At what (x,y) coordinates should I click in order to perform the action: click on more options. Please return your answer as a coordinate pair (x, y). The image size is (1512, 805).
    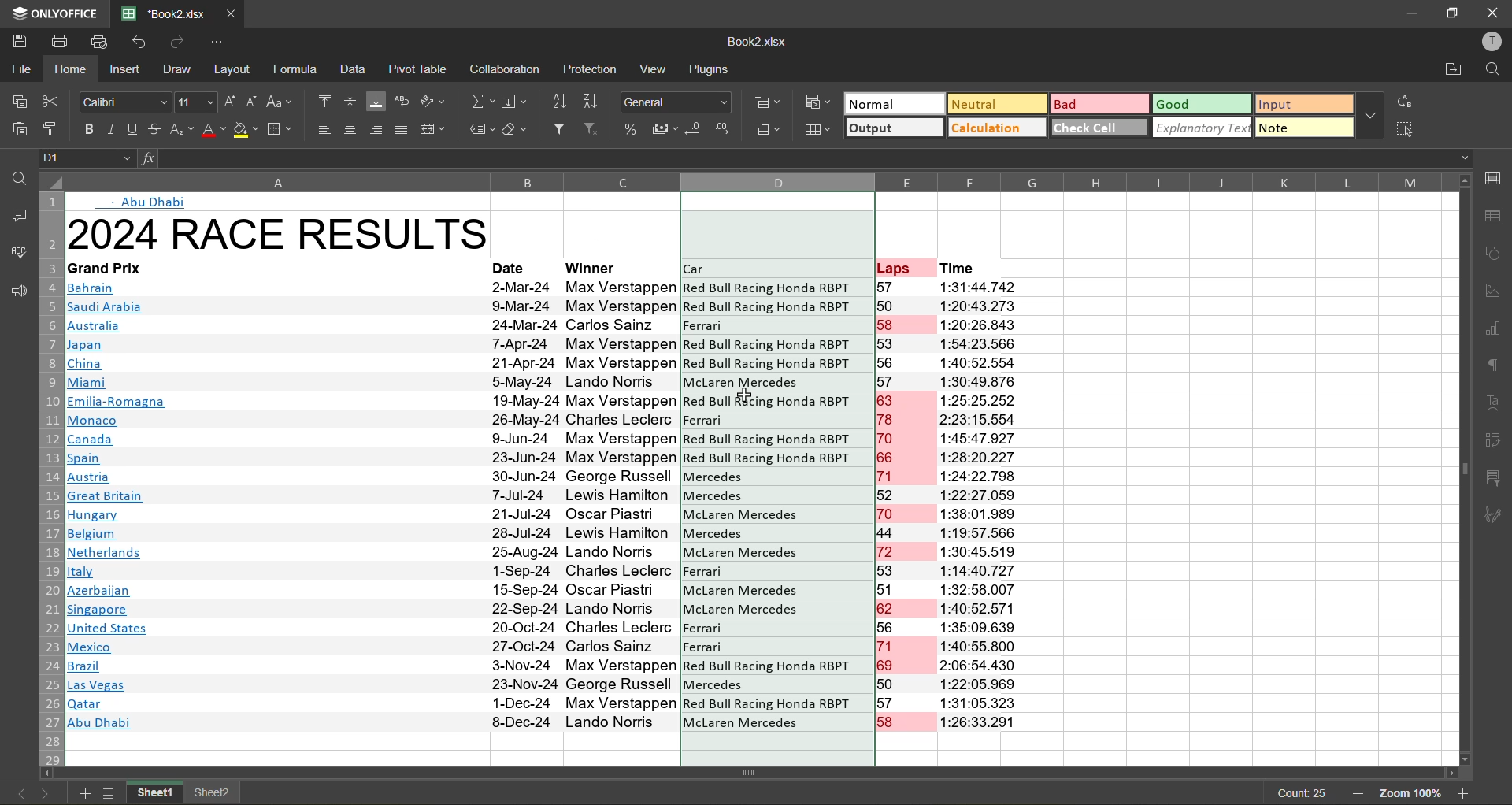
    Looking at the image, I should click on (1370, 114).